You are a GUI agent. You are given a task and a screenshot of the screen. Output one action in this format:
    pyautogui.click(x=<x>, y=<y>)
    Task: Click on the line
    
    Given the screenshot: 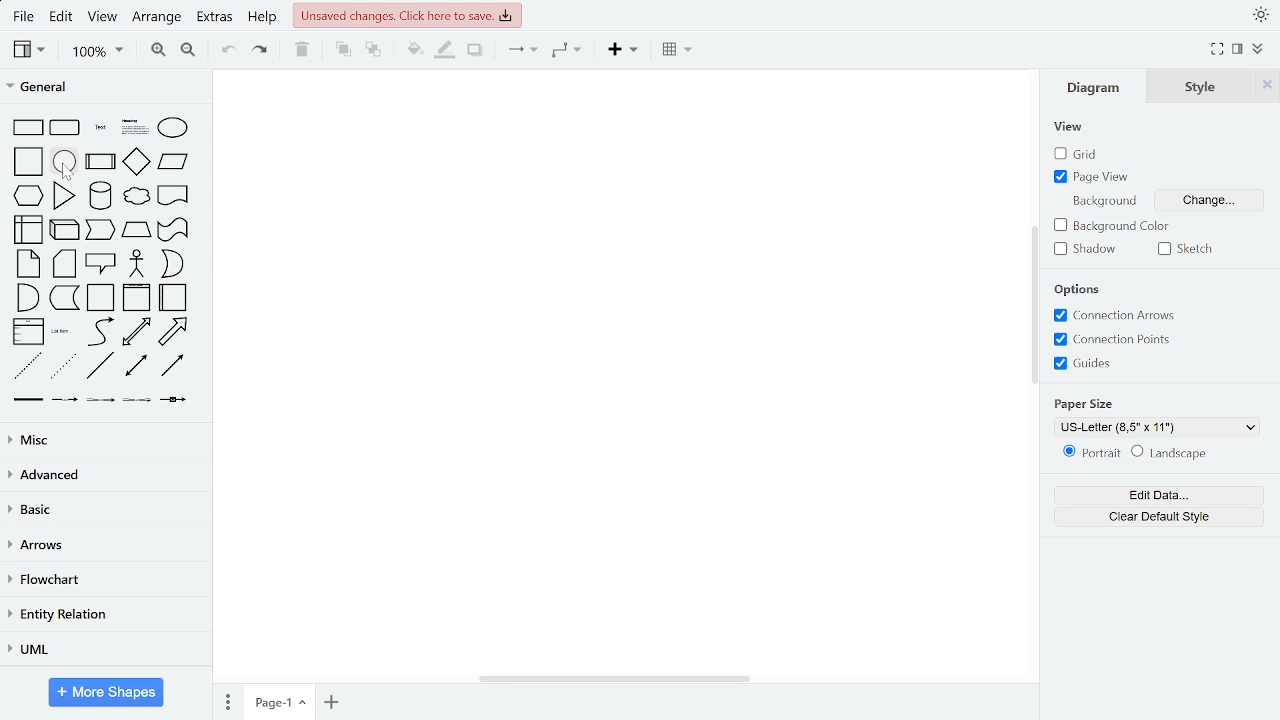 What is the action you would take?
    pyautogui.click(x=102, y=367)
    